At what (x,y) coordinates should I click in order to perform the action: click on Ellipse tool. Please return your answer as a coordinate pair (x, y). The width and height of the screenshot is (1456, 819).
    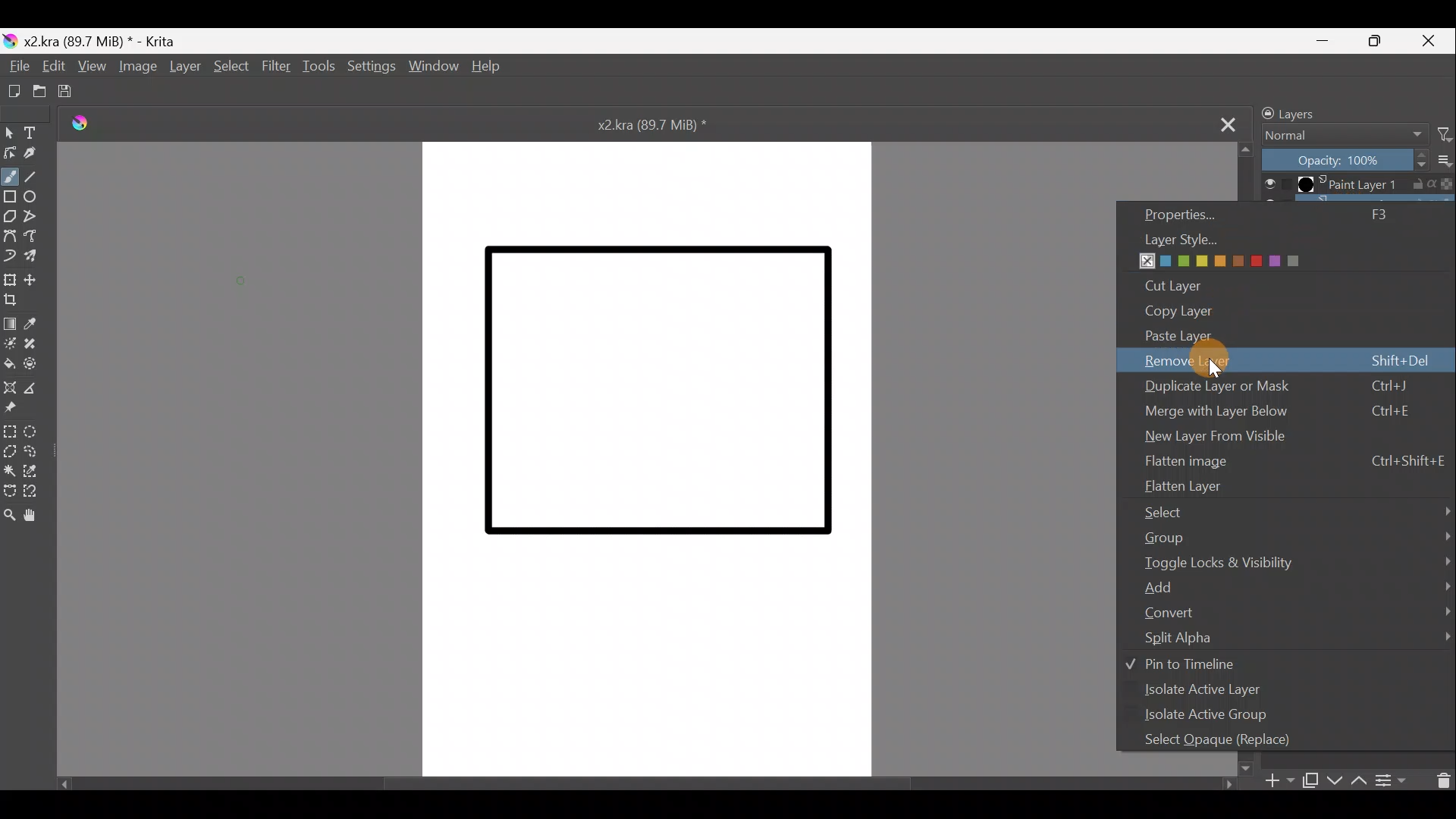
    Looking at the image, I should click on (36, 198).